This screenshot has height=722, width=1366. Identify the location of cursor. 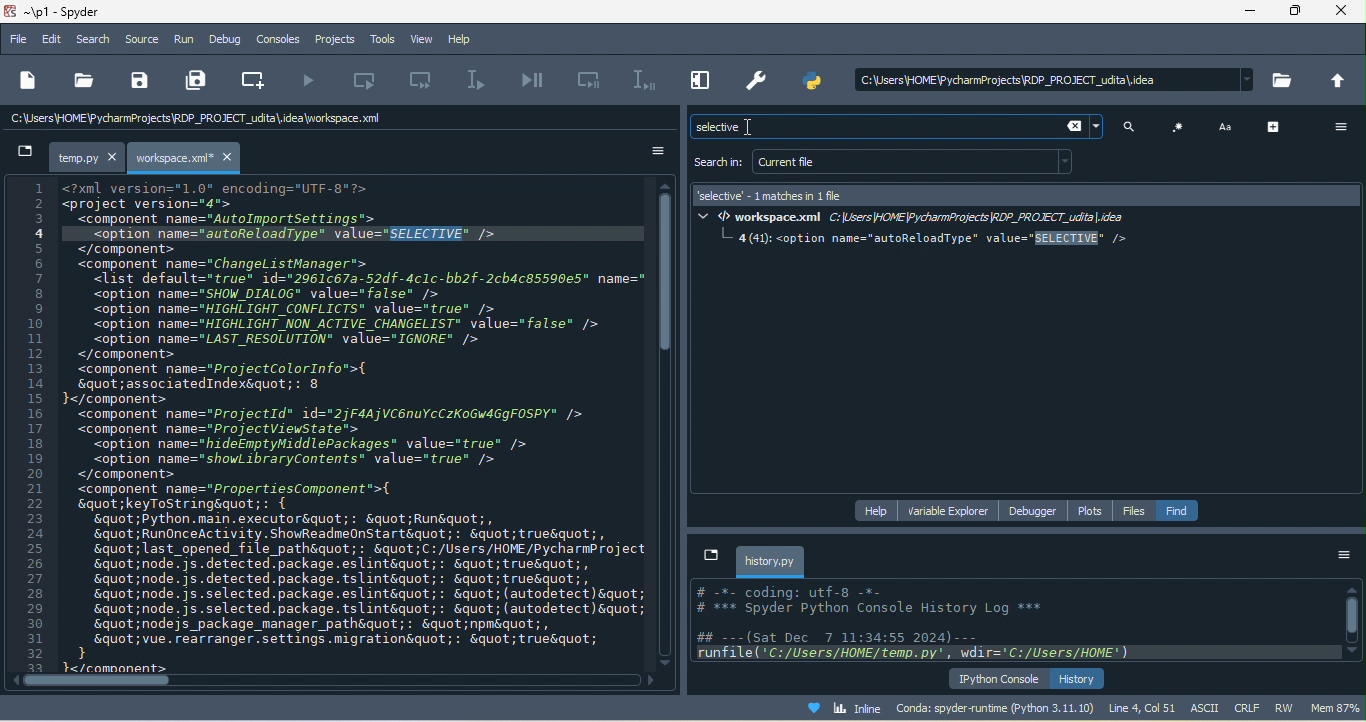
(753, 131).